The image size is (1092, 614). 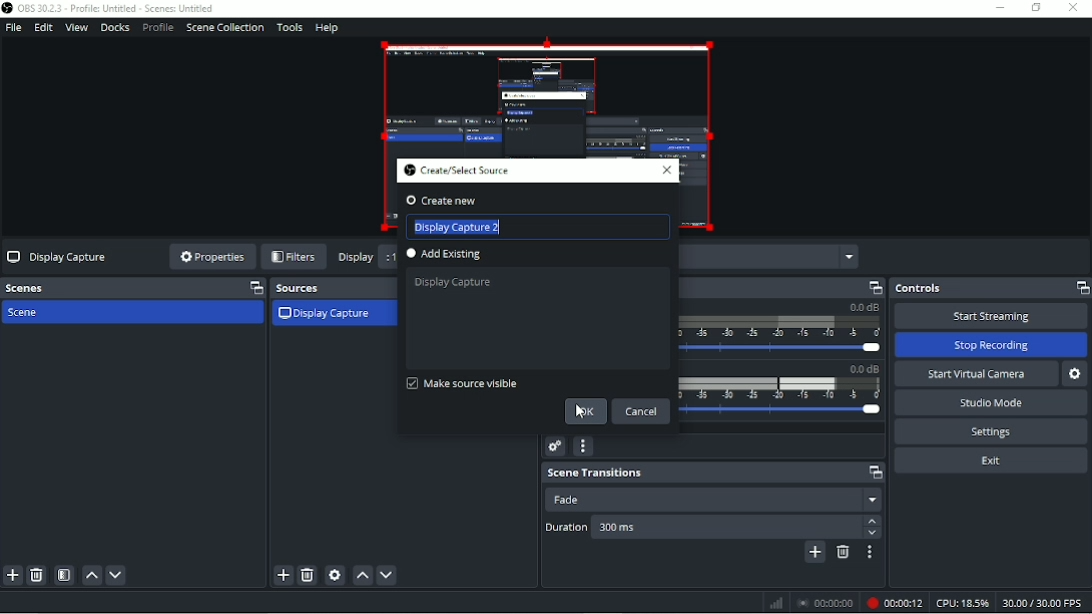 I want to click on Stop recording, so click(x=992, y=345).